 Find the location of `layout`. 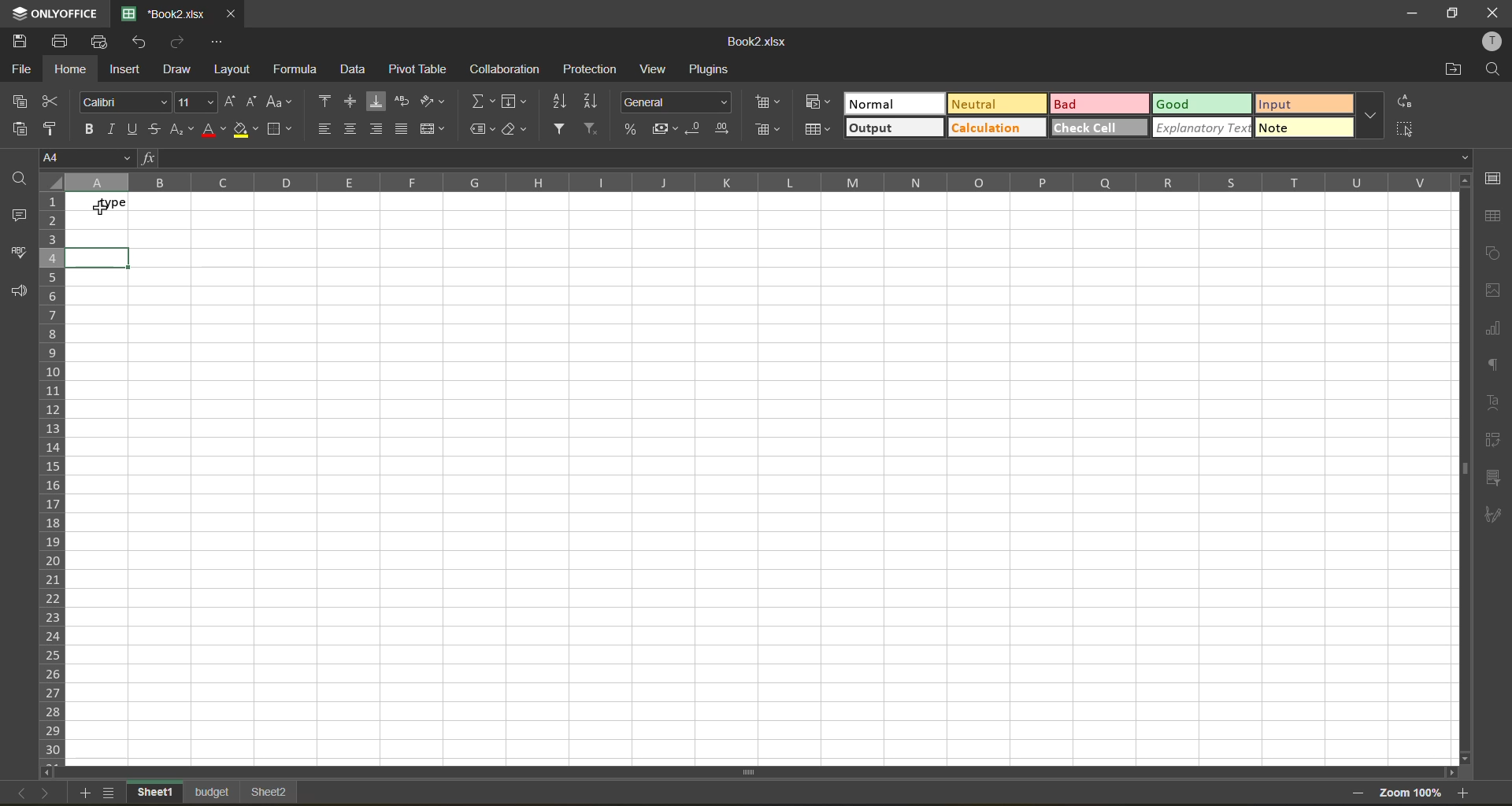

layout is located at coordinates (232, 68).